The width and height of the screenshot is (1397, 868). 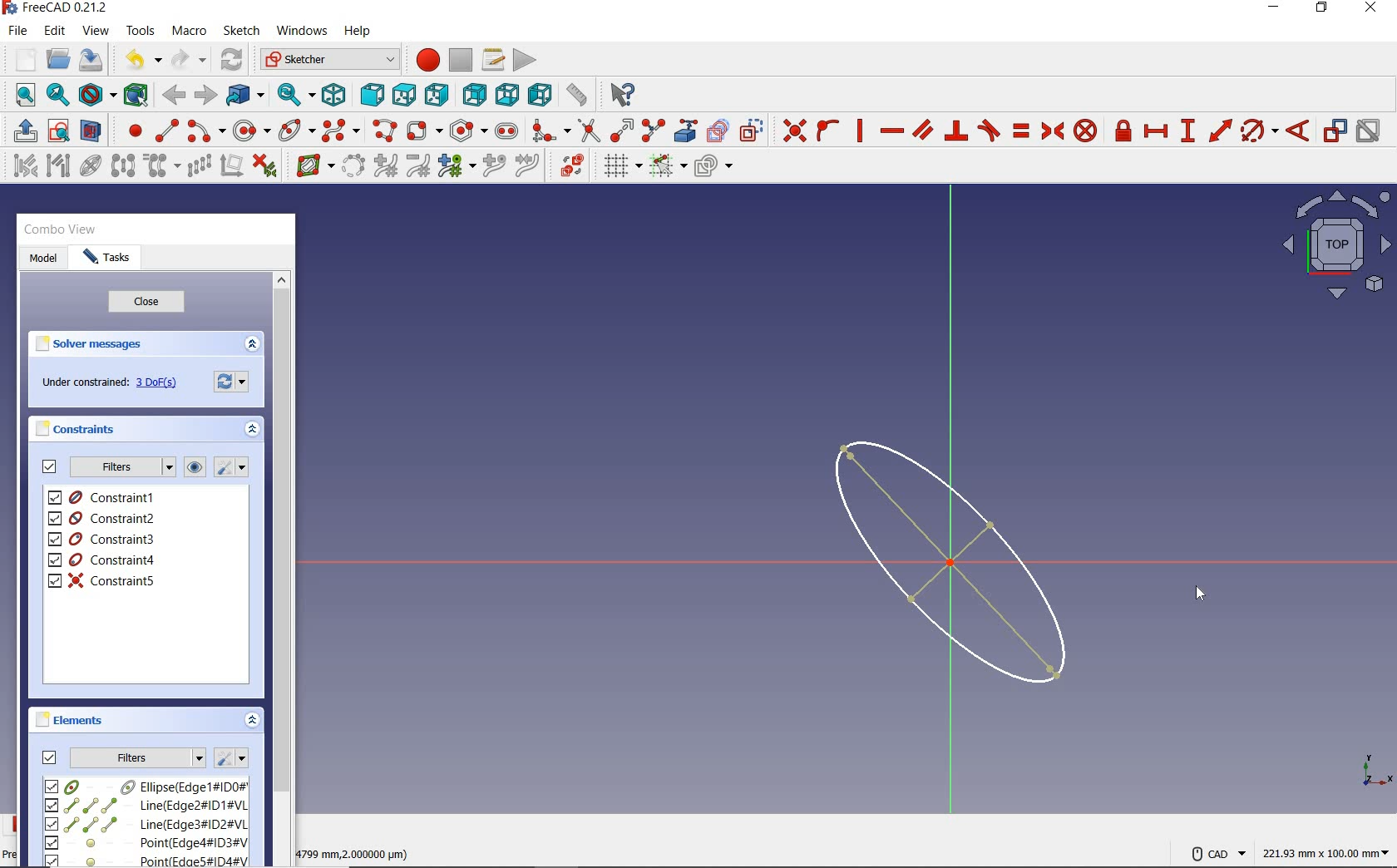 What do you see at coordinates (107, 259) in the screenshot?
I see `tasks` at bounding box center [107, 259].